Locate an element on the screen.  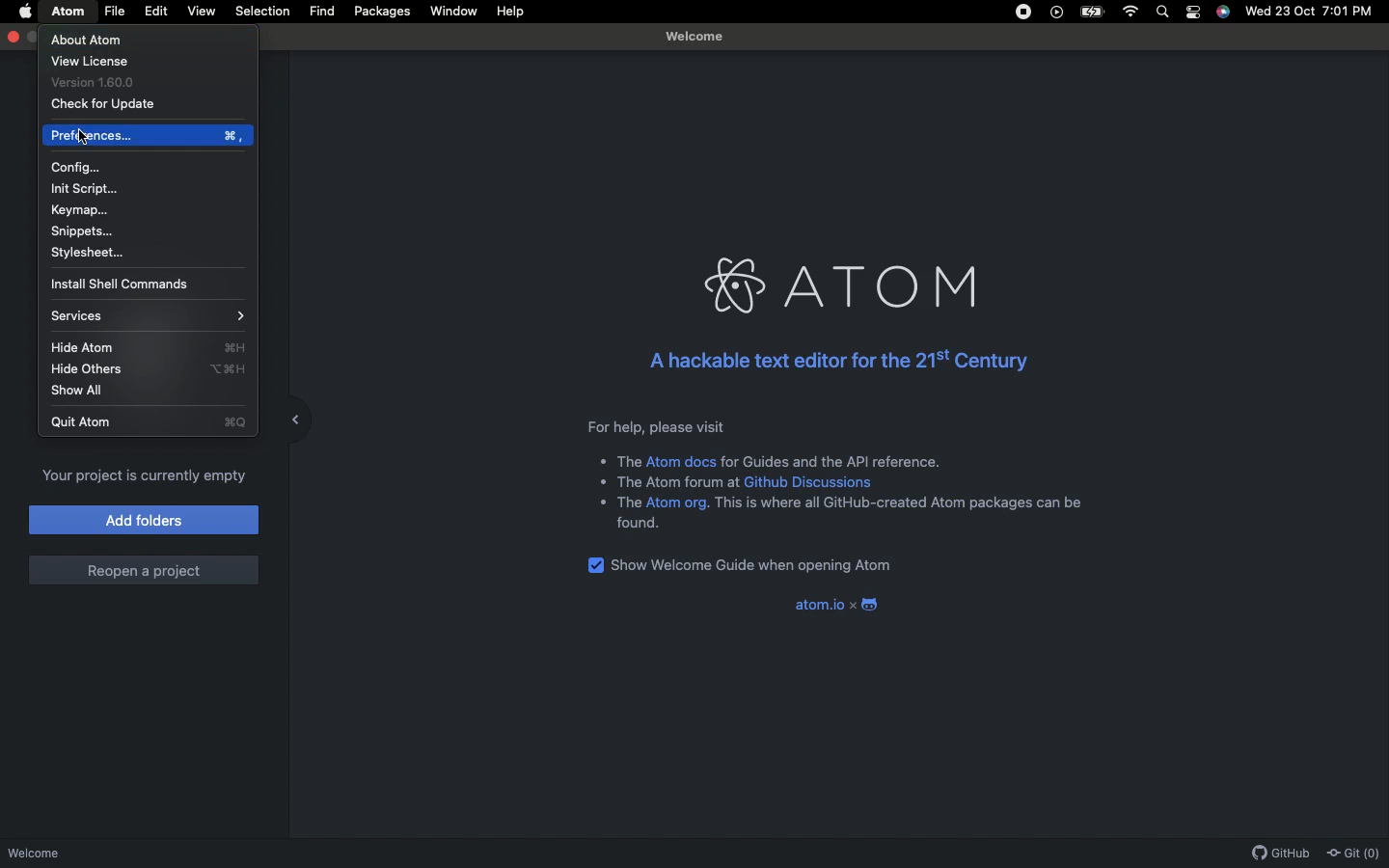
Show all is located at coordinates (81, 389).